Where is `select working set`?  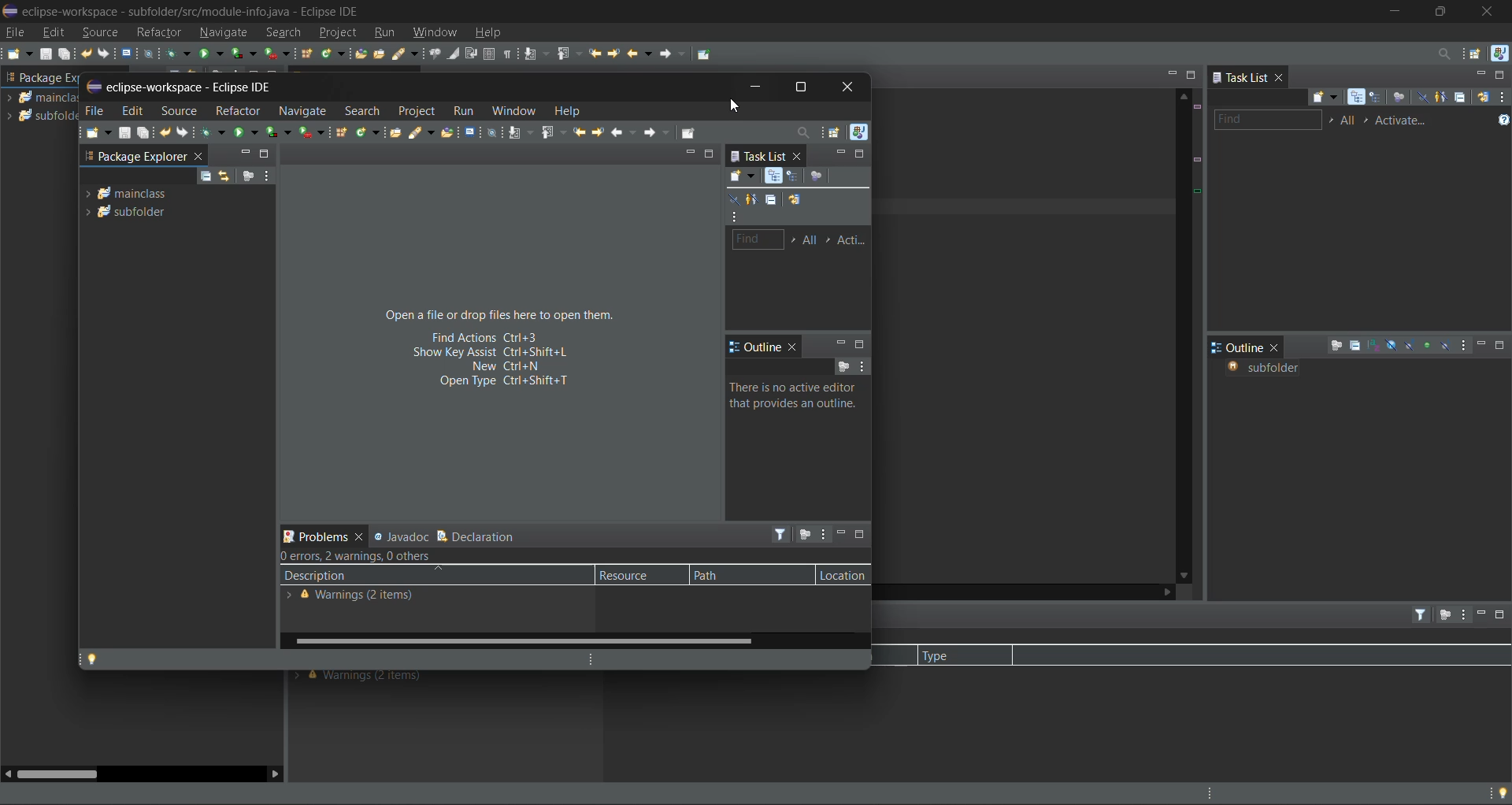
select working set is located at coordinates (1331, 121).